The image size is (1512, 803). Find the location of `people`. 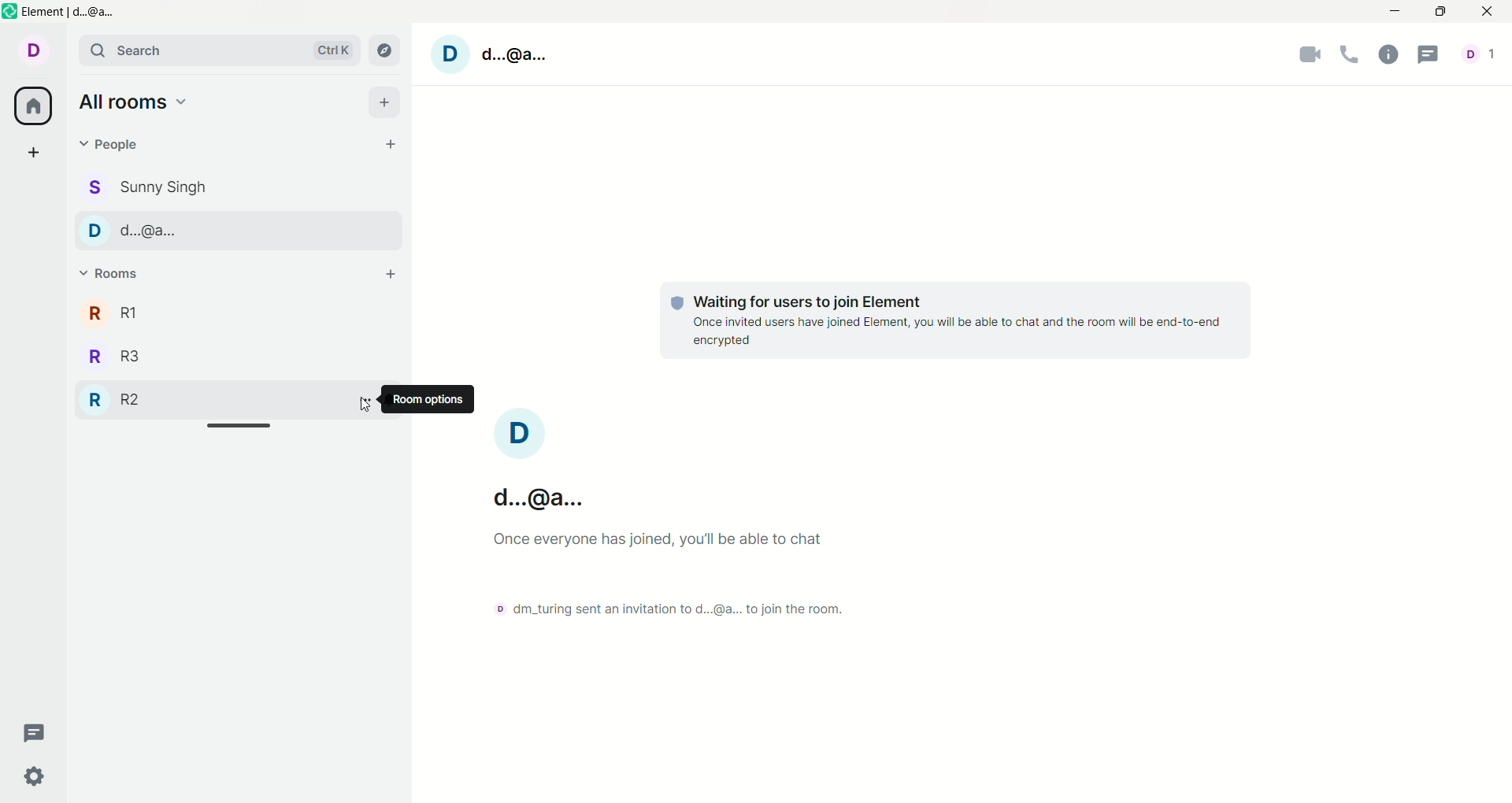

people is located at coordinates (111, 146).